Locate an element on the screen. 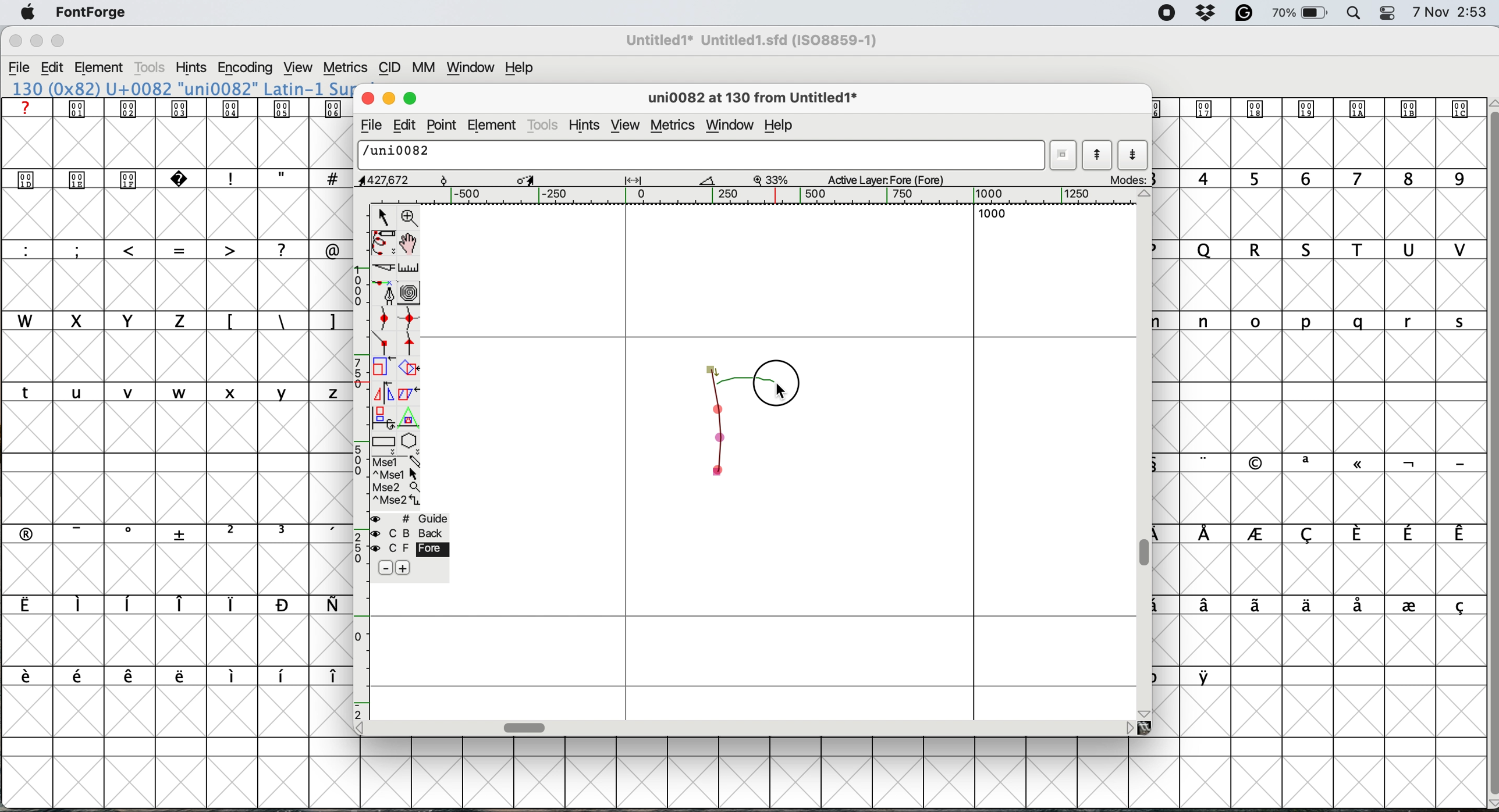 This screenshot has height=812, width=1499. font name is located at coordinates (756, 40).